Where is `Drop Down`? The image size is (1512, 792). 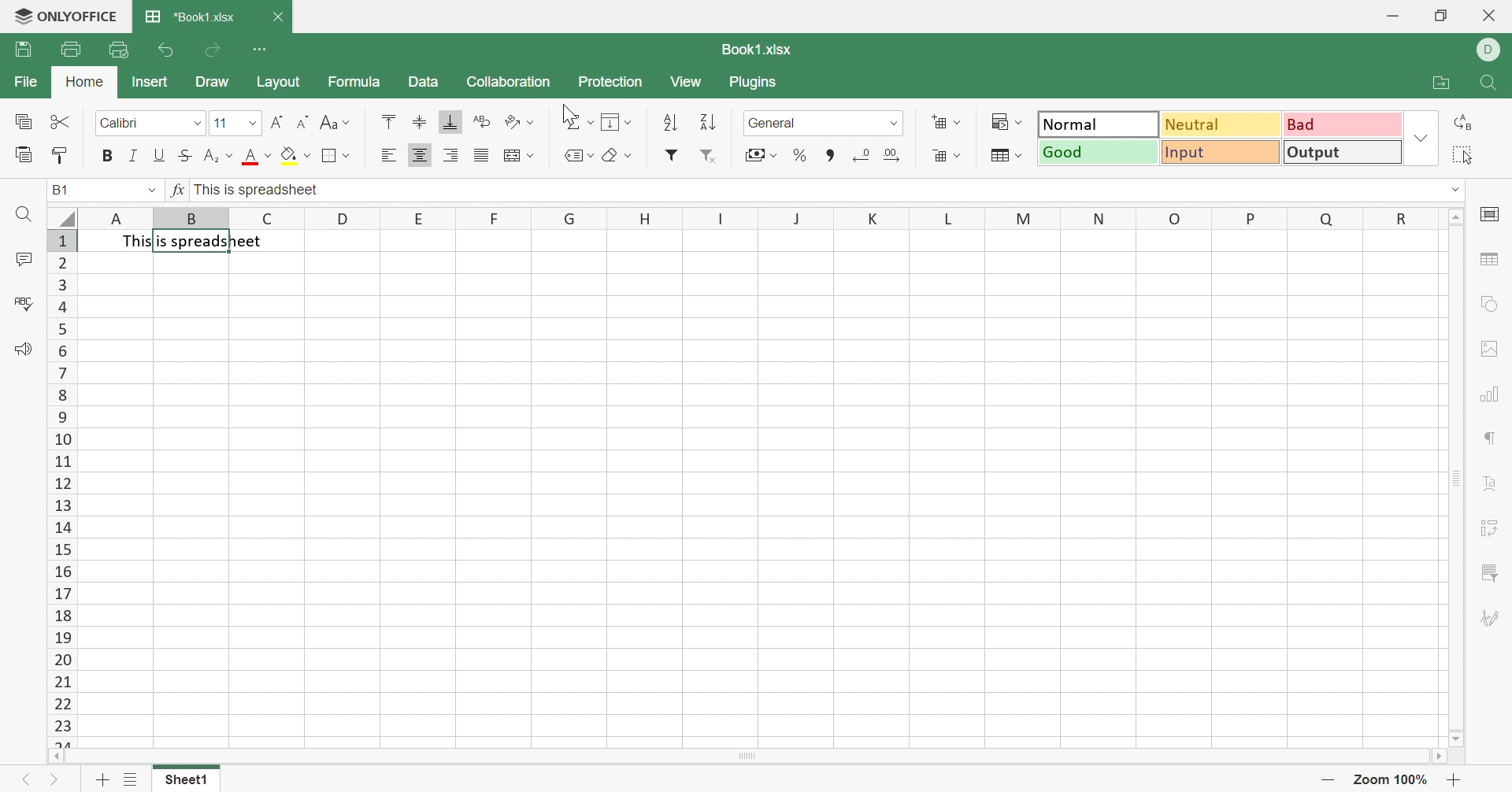 Drop Down is located at coordinates (591, 155).